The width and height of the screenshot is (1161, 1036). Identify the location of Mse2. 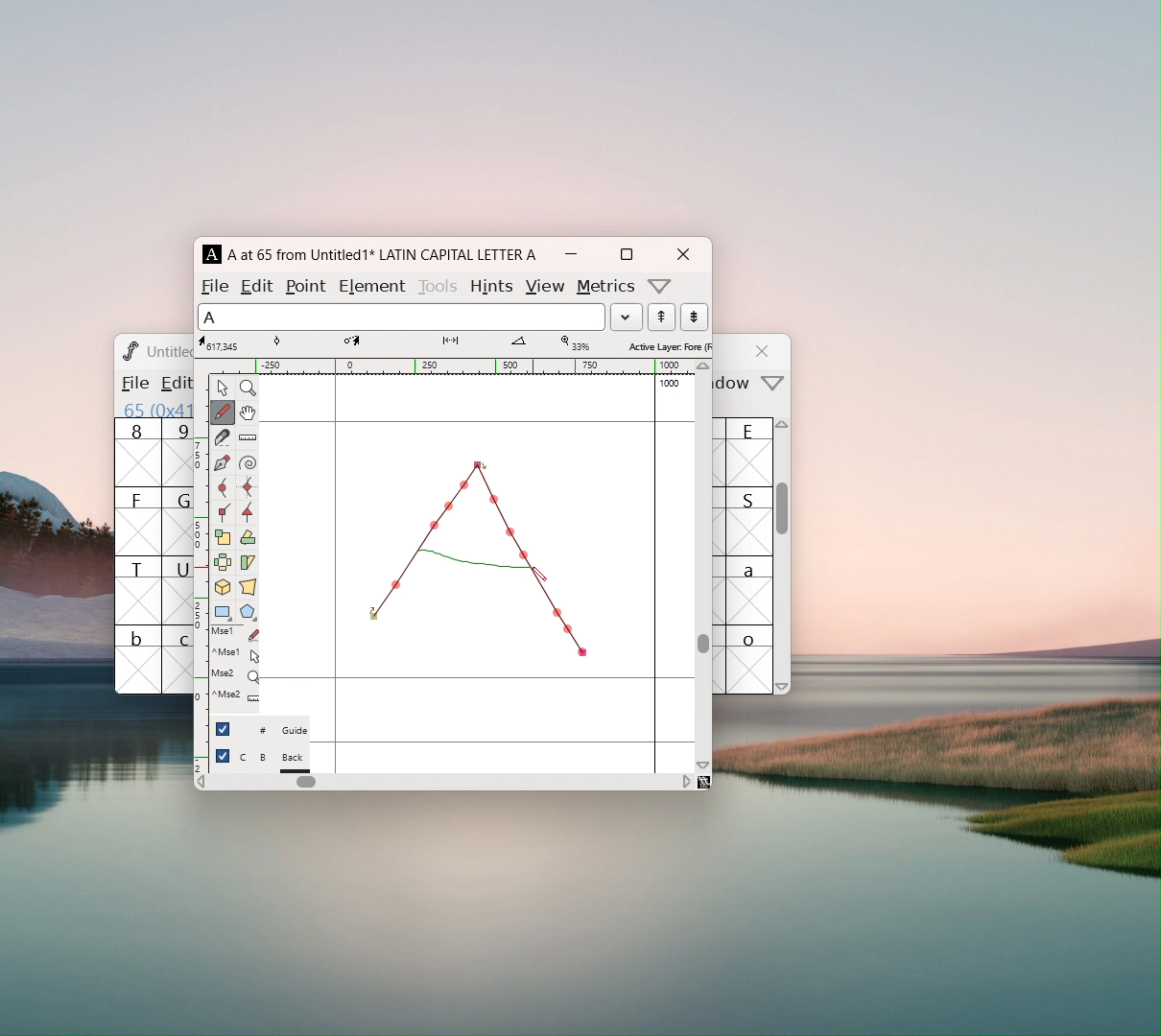
(235, 674).